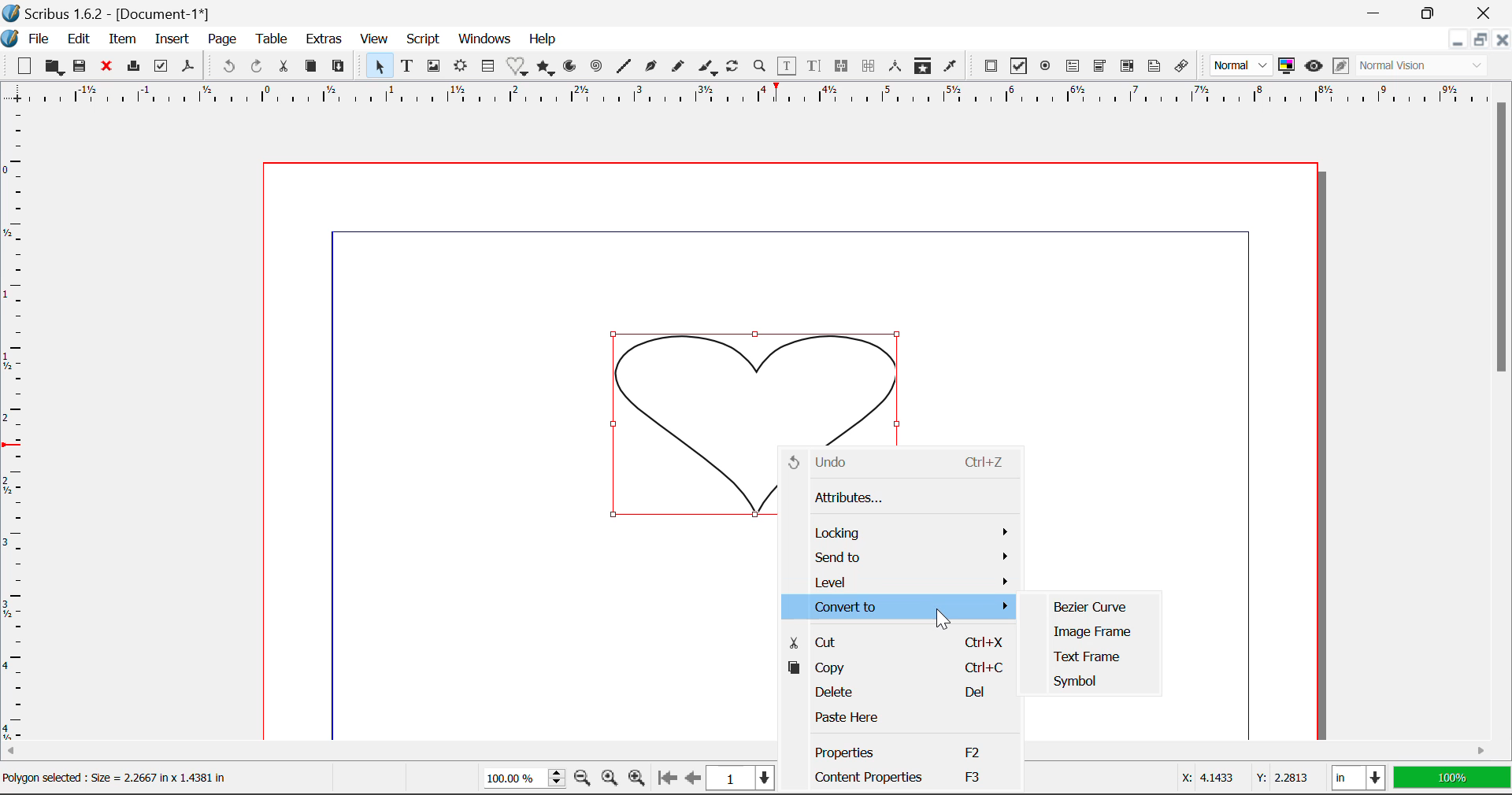 This screenshot has width=1512, height=795. Describe the element at coordinates (379, 66) in the screenshot. I see `Select` at that location.